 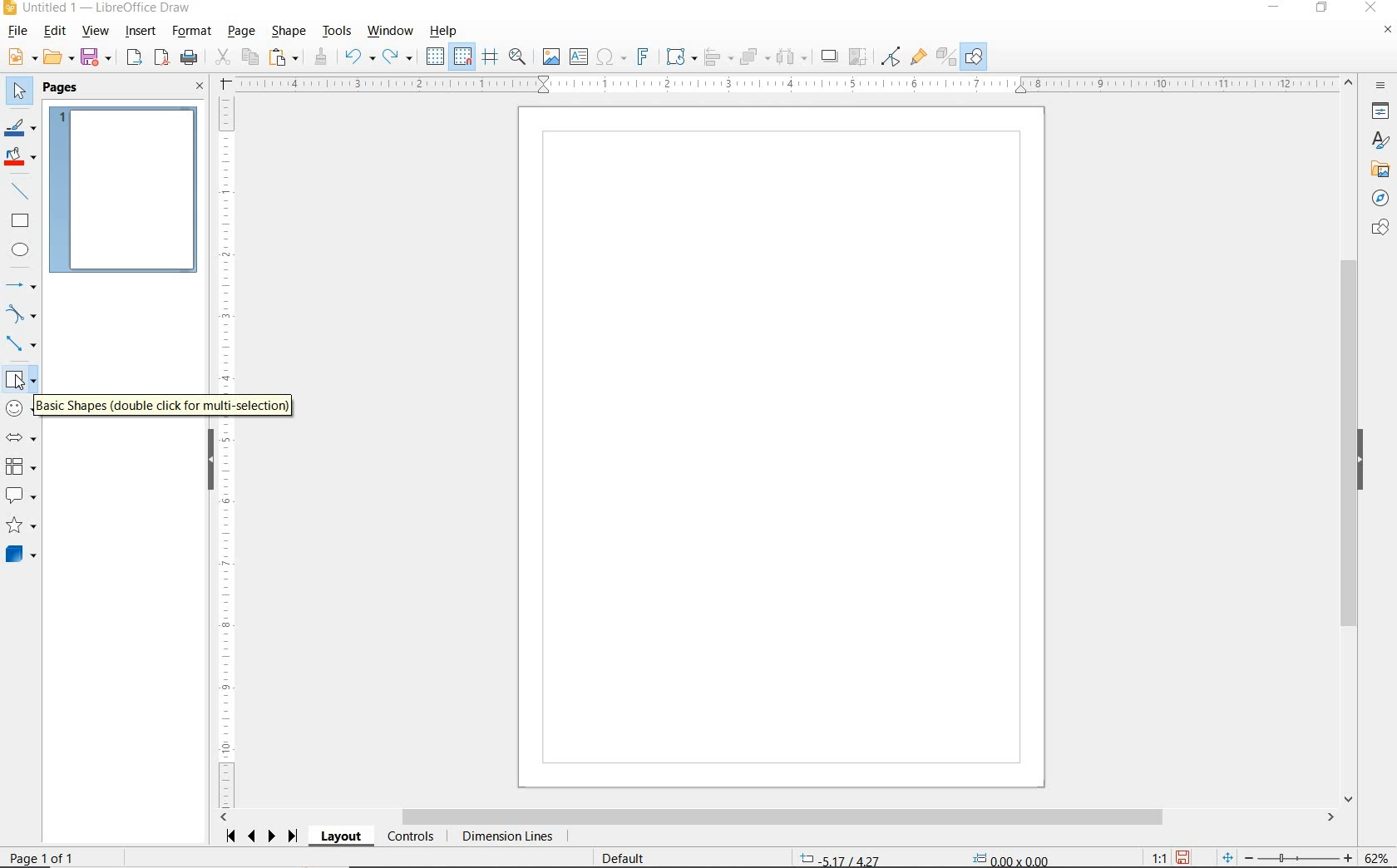 What do you see at coordinates (1380, 81) in the screenshot?
I see `SIDEBAR SETTINGS` at bounding box center [1380, 81].